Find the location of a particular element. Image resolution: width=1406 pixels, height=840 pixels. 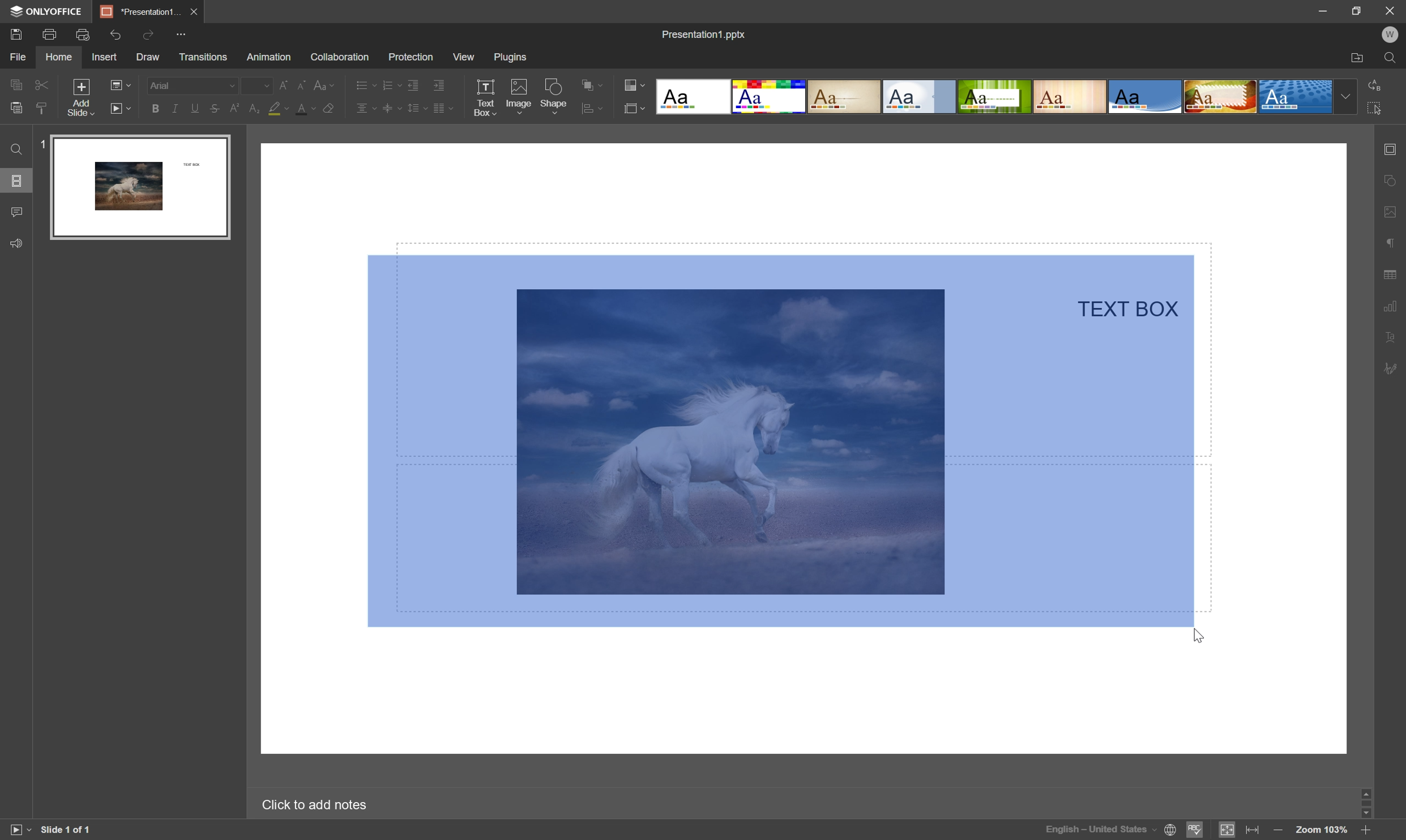

Dotted is located at coordinates (1297, 98).